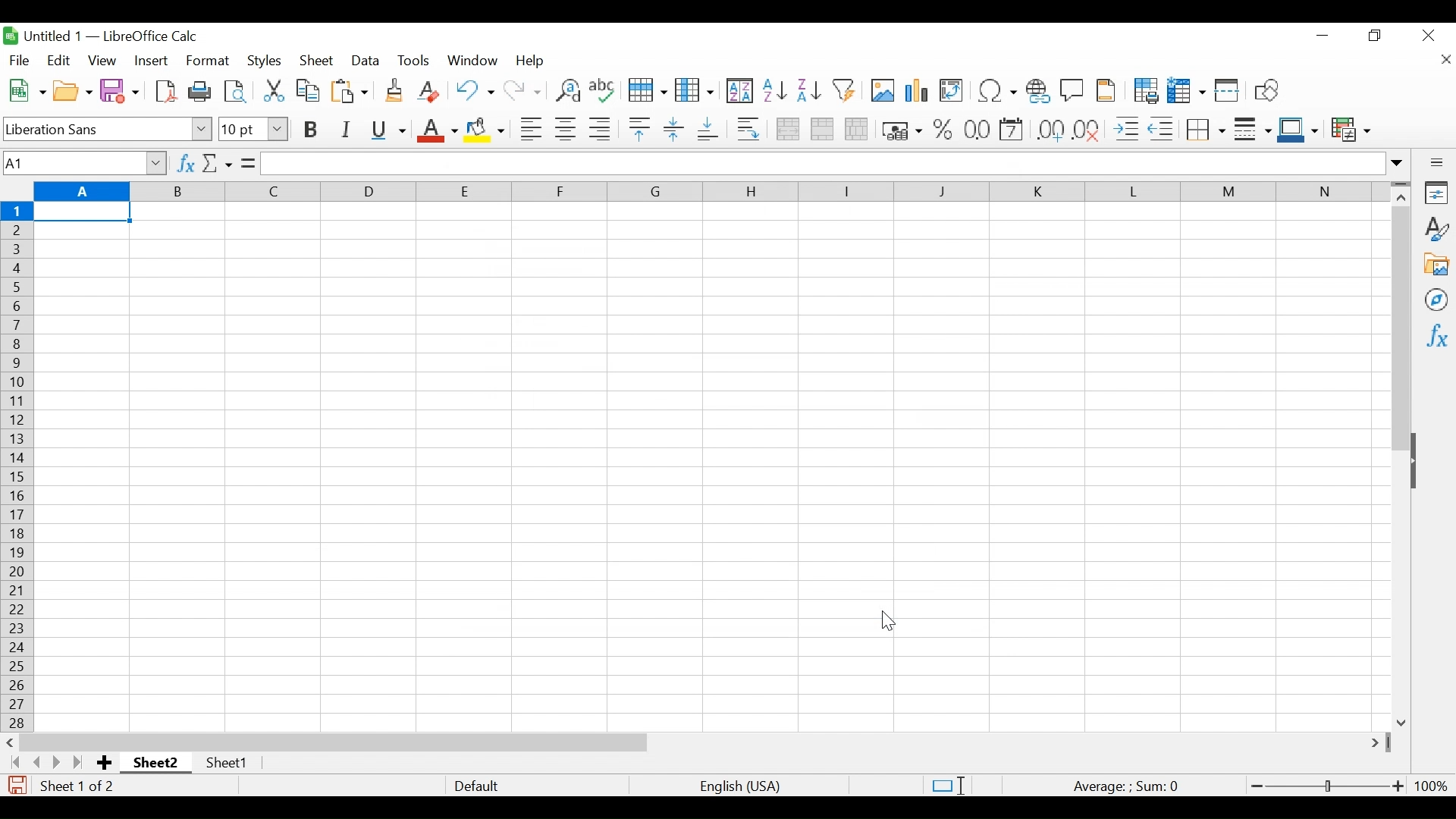 This screenshot has height=819, width=1456. I want to click on Sort, so click(739, 89).